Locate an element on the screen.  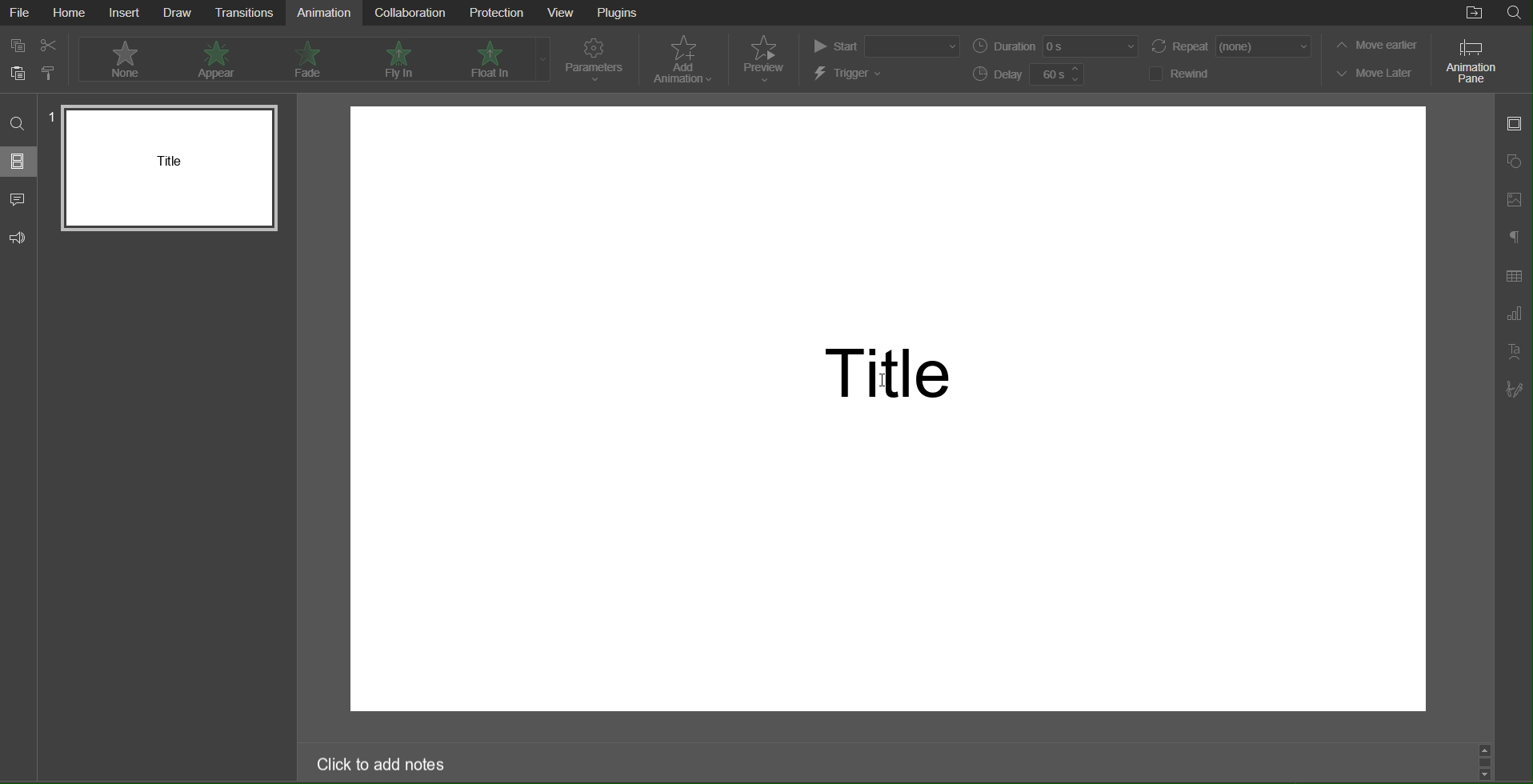
TextArt is located at coordinates (1512, 352).